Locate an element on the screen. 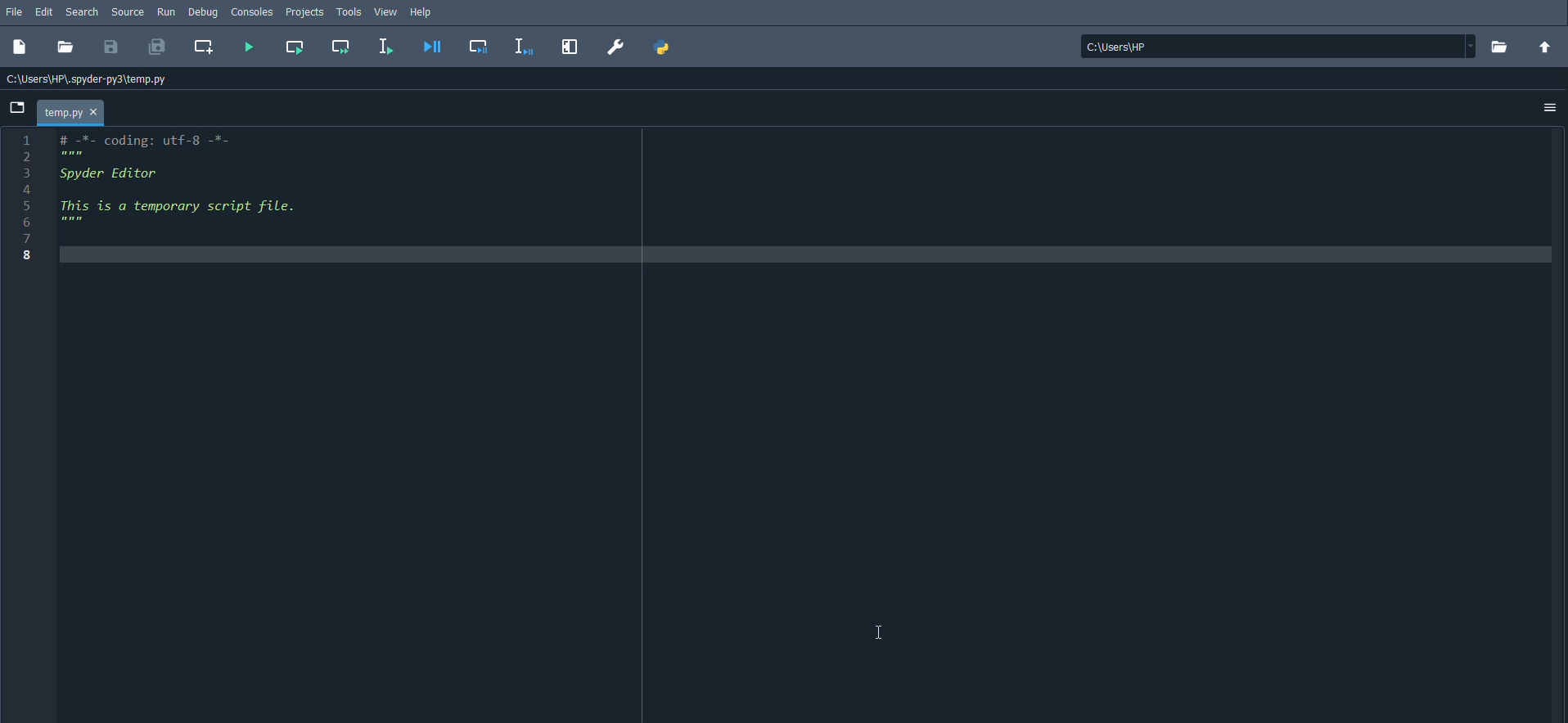 This screenshot has width=1568, height=723. Save all files is located at coordinates (158, 46).